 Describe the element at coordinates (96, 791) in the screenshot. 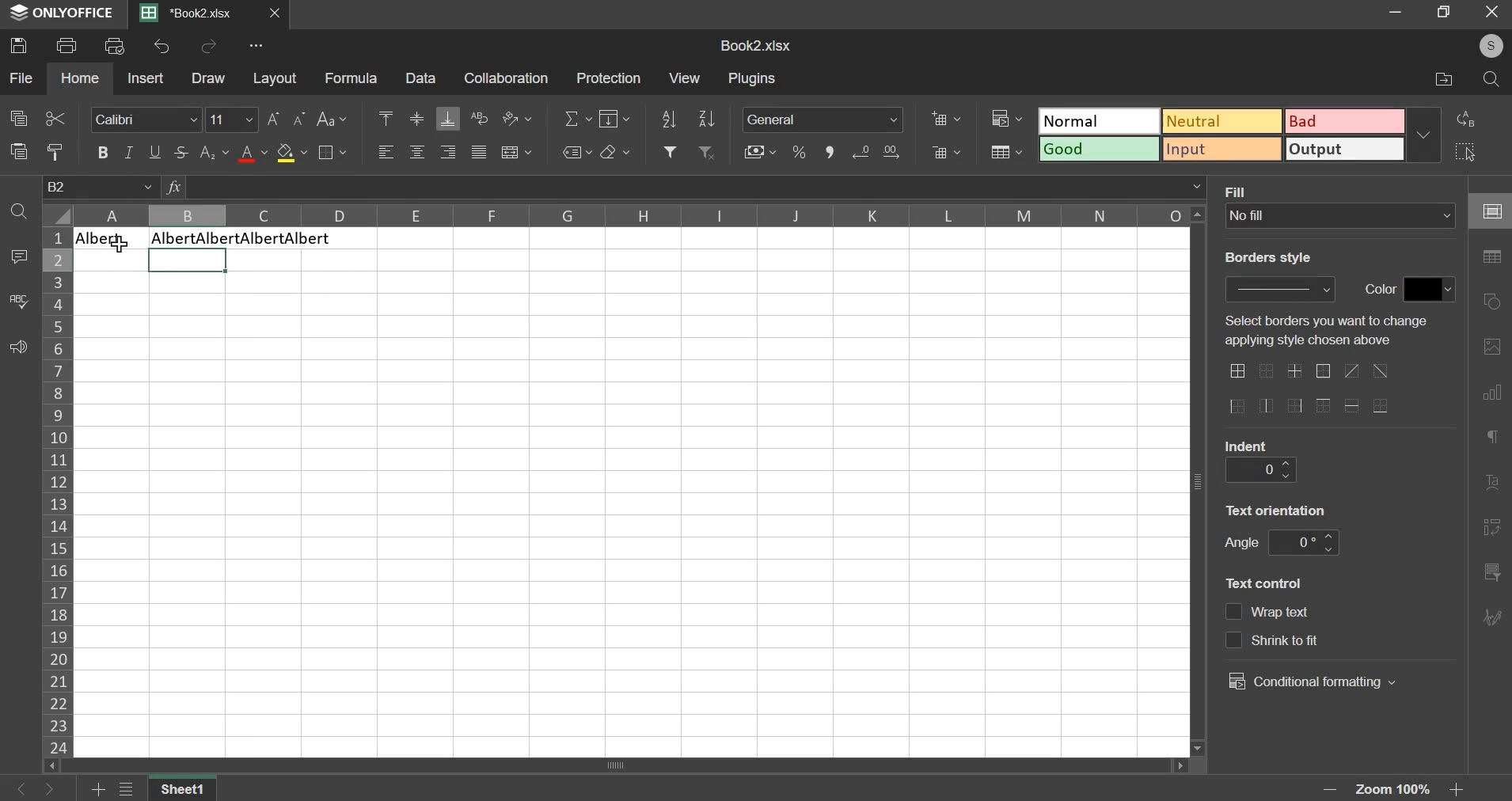

I see `add sheets` at that location.